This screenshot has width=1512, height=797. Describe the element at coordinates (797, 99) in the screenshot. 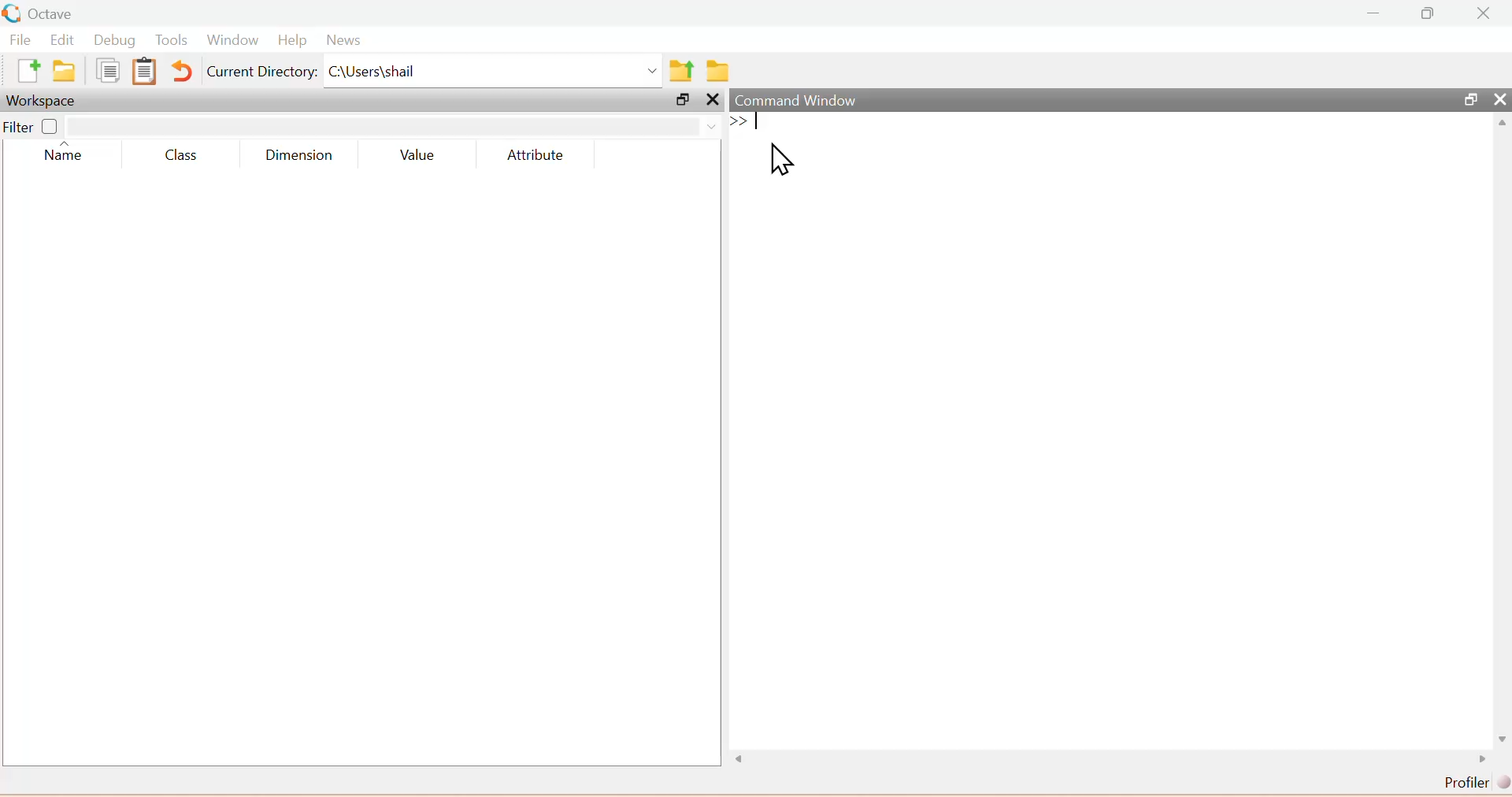

I see `Command Window` at that location.